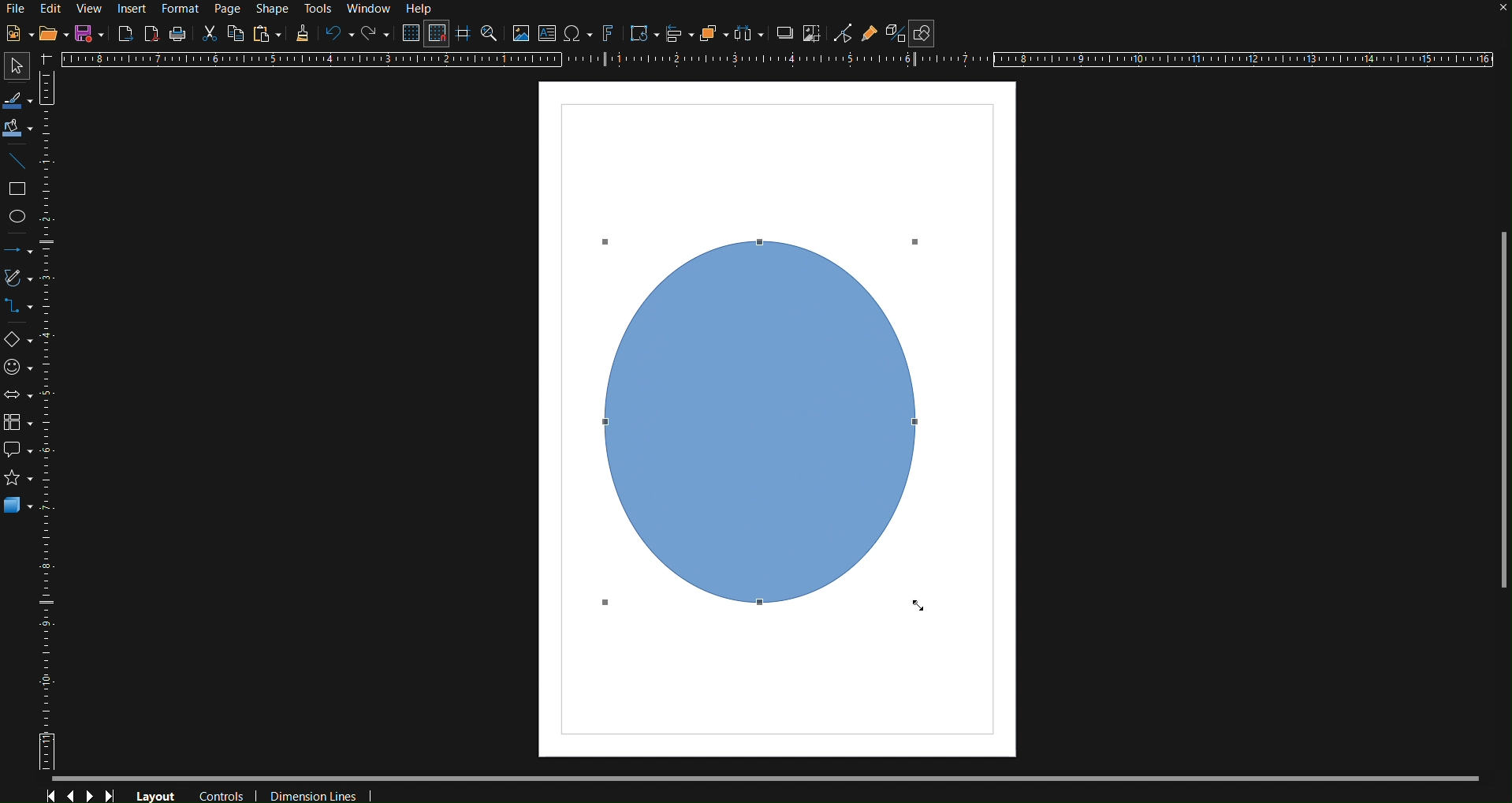 The image size is (1512, 803). Describe the element at coordinates (15, 35) in the screenshot. I see `New` at that location.